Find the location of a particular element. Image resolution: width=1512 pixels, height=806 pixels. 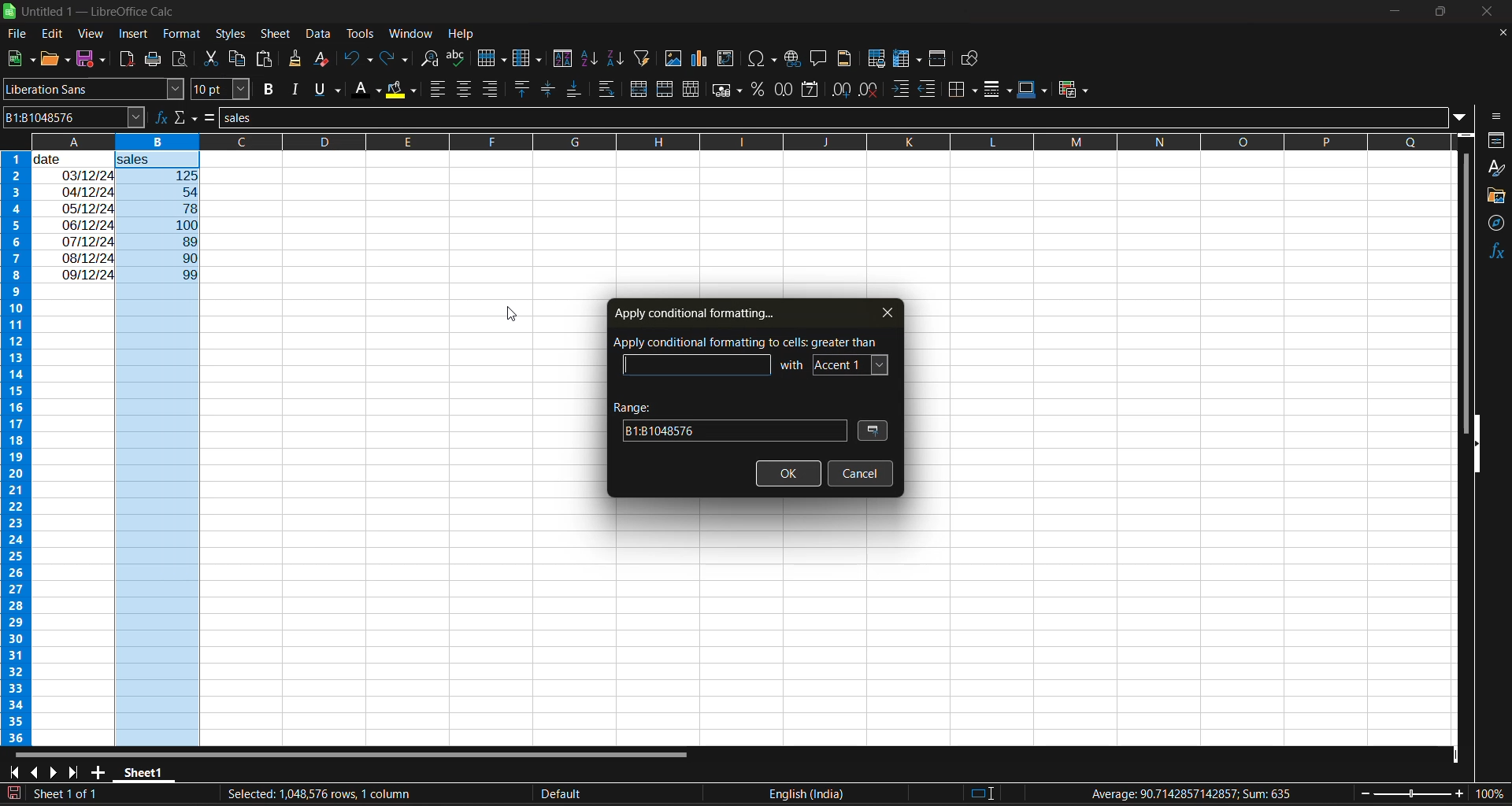

close is located at coordinates (1496, 13).